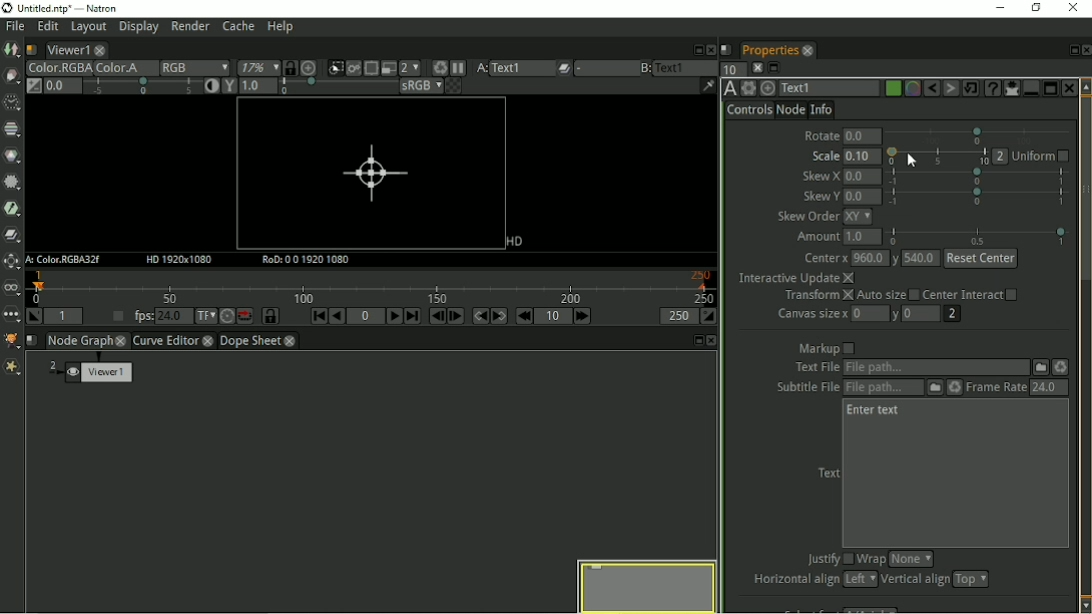  Describe the element at coordinates (1031, 156) in the screenshot. I see `uniform` at that location.